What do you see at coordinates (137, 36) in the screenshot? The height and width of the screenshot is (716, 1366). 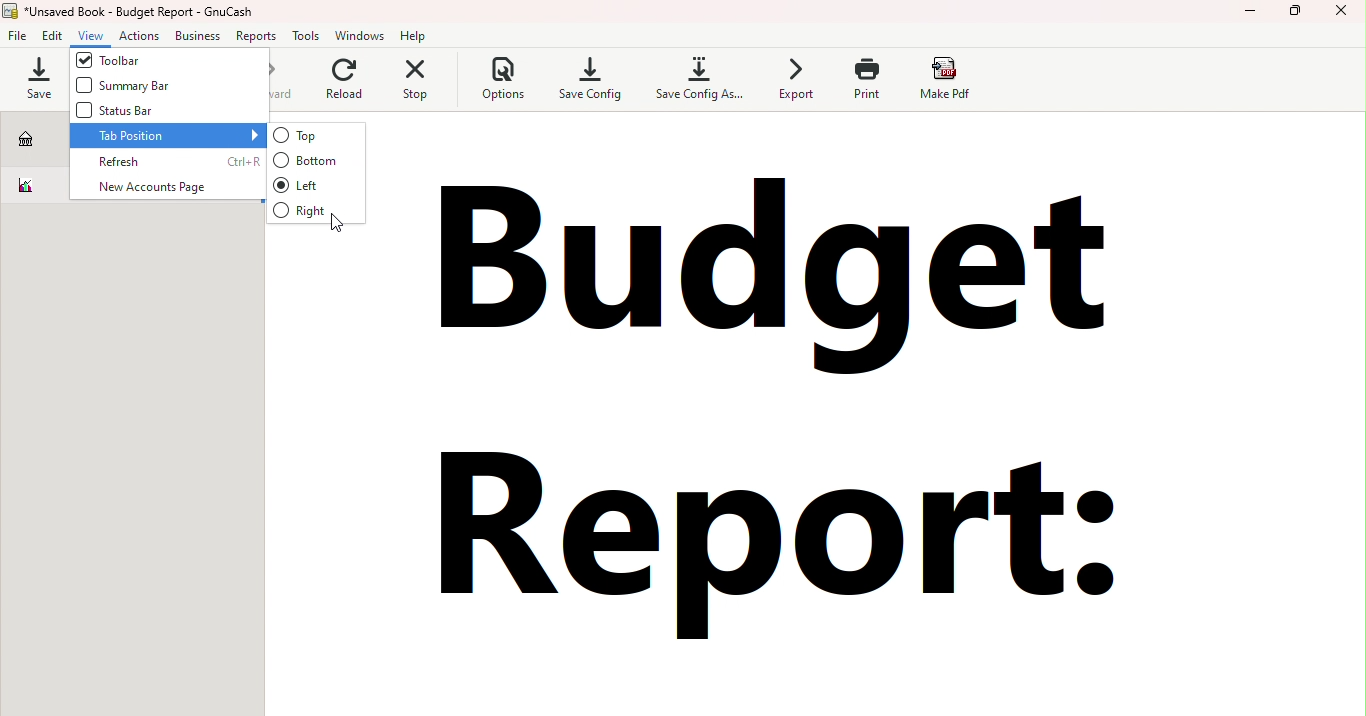 I see `Actions` at bounding box center [137, 36].